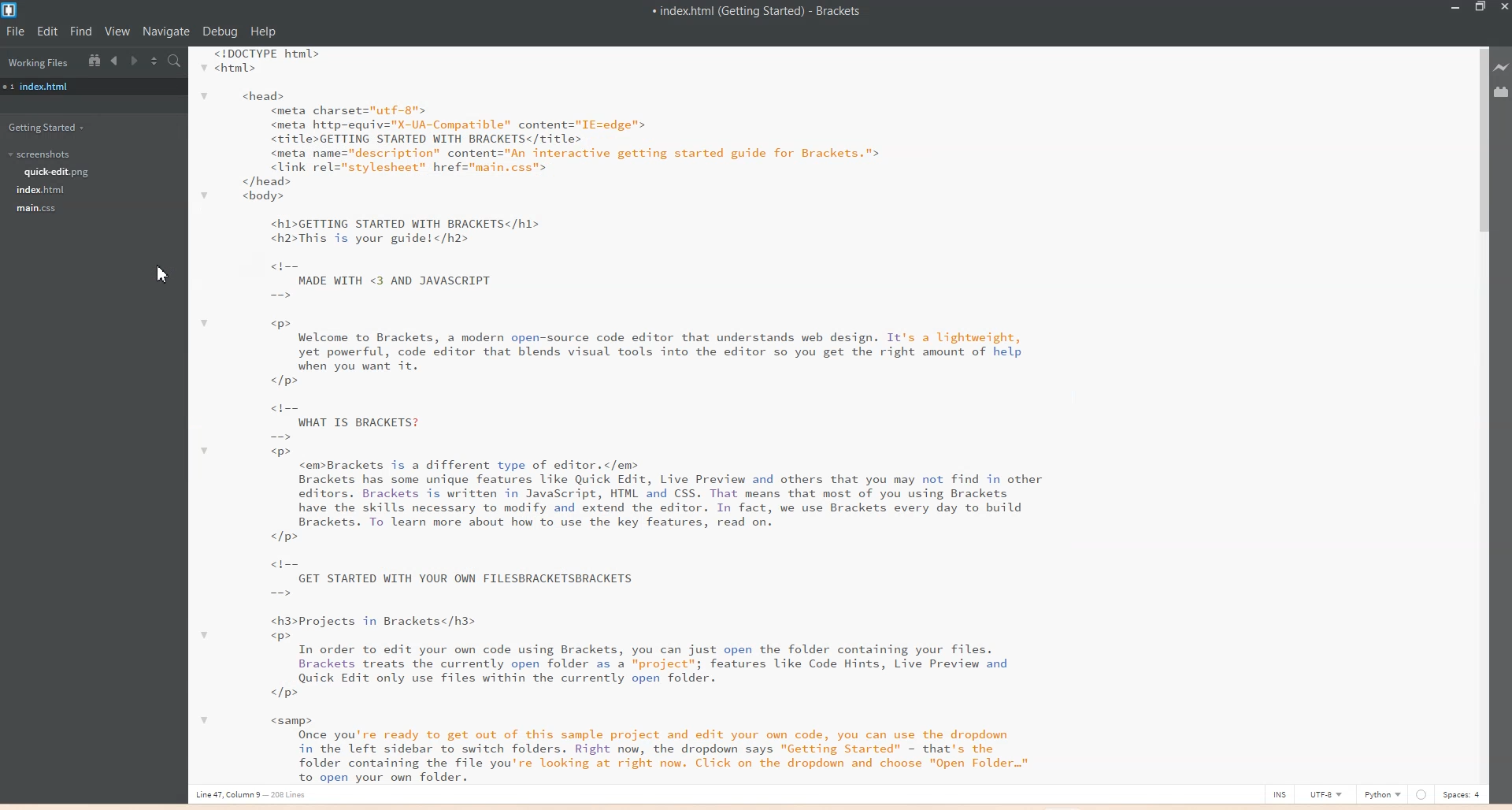 Image resolution: width=1512 pixels, height=810 pixels. Describe the element at coordinates (264, 32) in the screenshot. I see `Help` at that location.